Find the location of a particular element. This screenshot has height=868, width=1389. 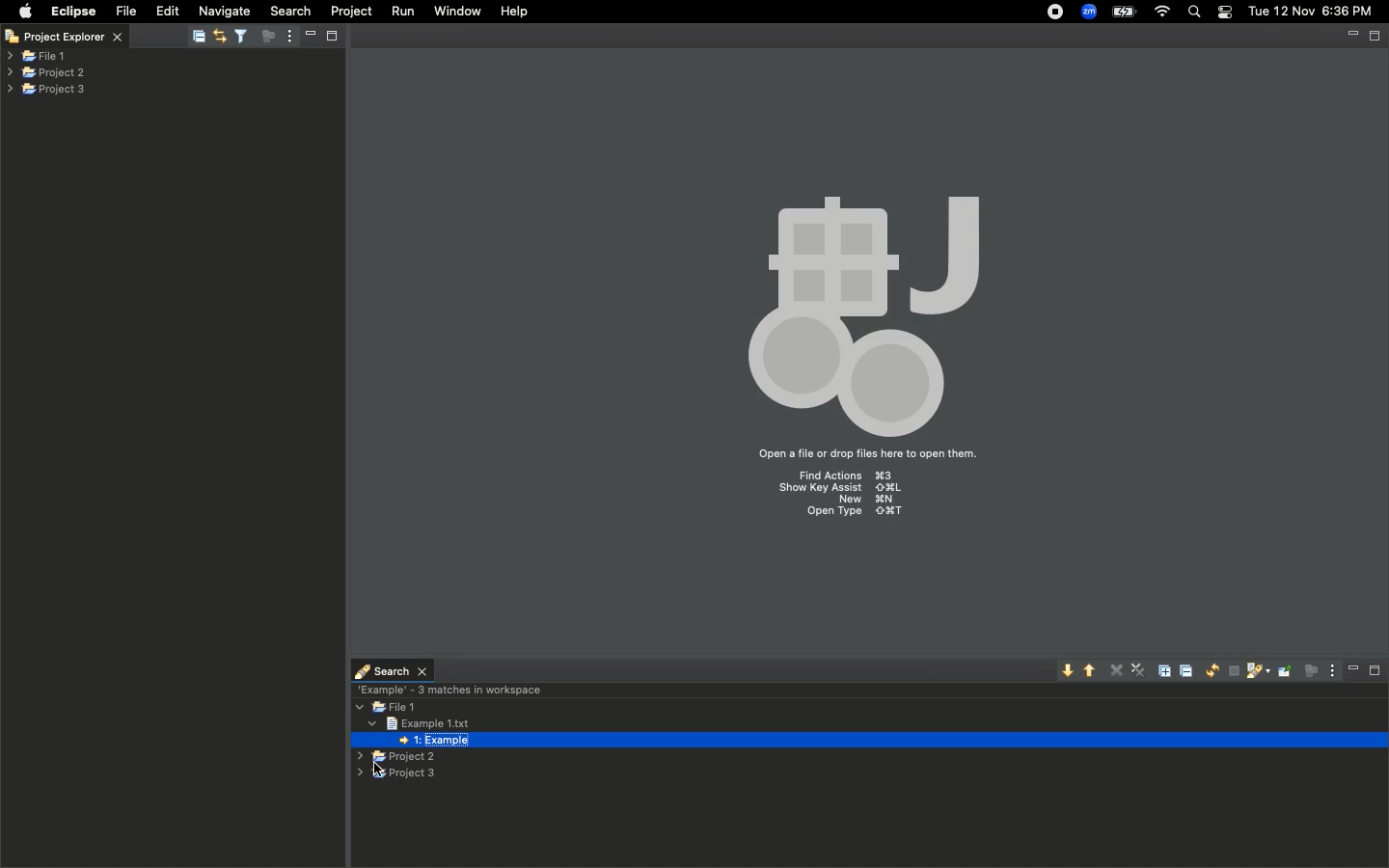

minimize is located at coordinates (309, 35).